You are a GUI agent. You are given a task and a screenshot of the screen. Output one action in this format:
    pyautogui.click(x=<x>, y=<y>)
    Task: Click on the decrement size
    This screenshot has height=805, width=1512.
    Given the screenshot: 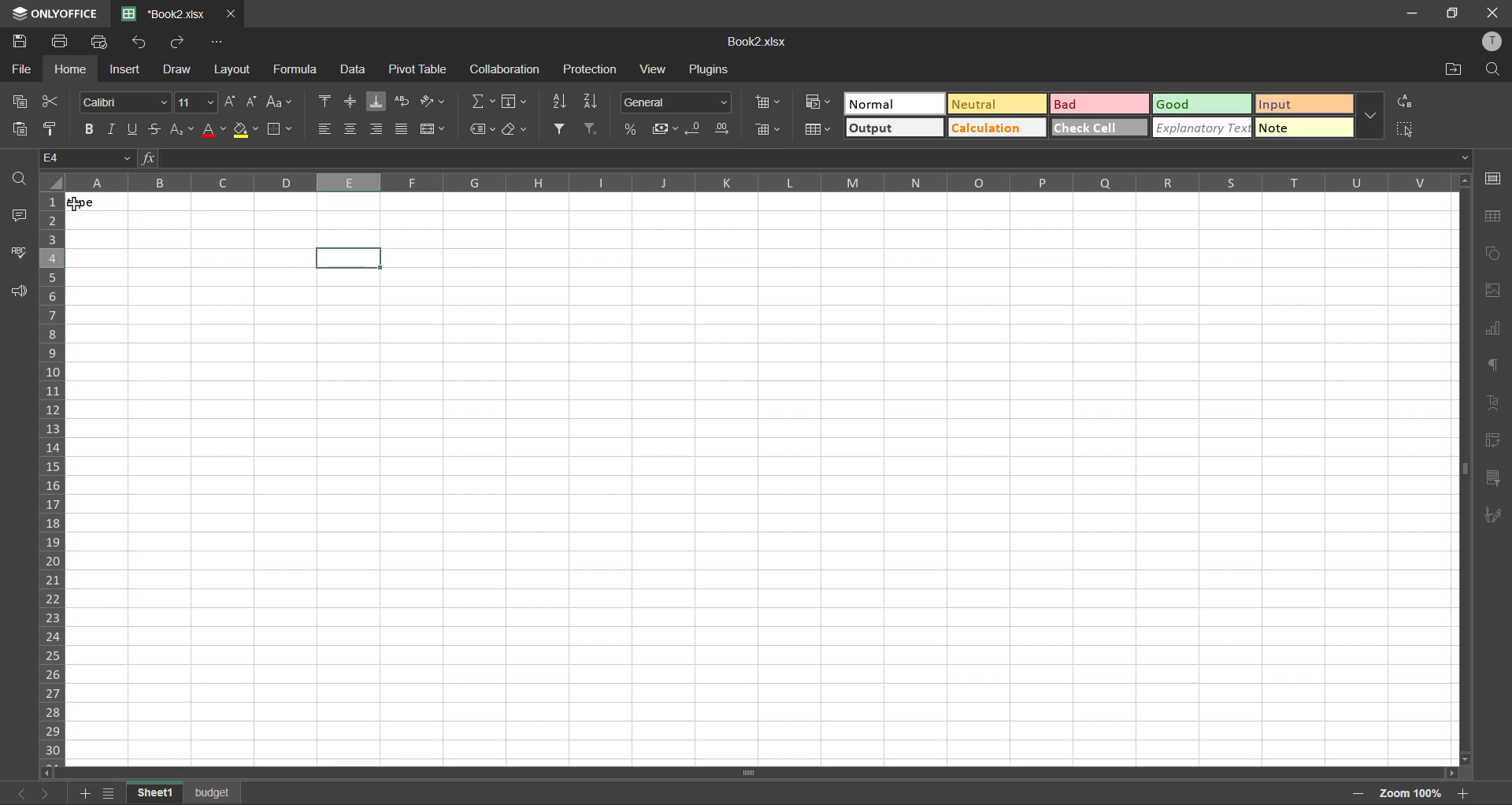 What is the action you would take?
    pyautogui.click(x=254, y=102)
    